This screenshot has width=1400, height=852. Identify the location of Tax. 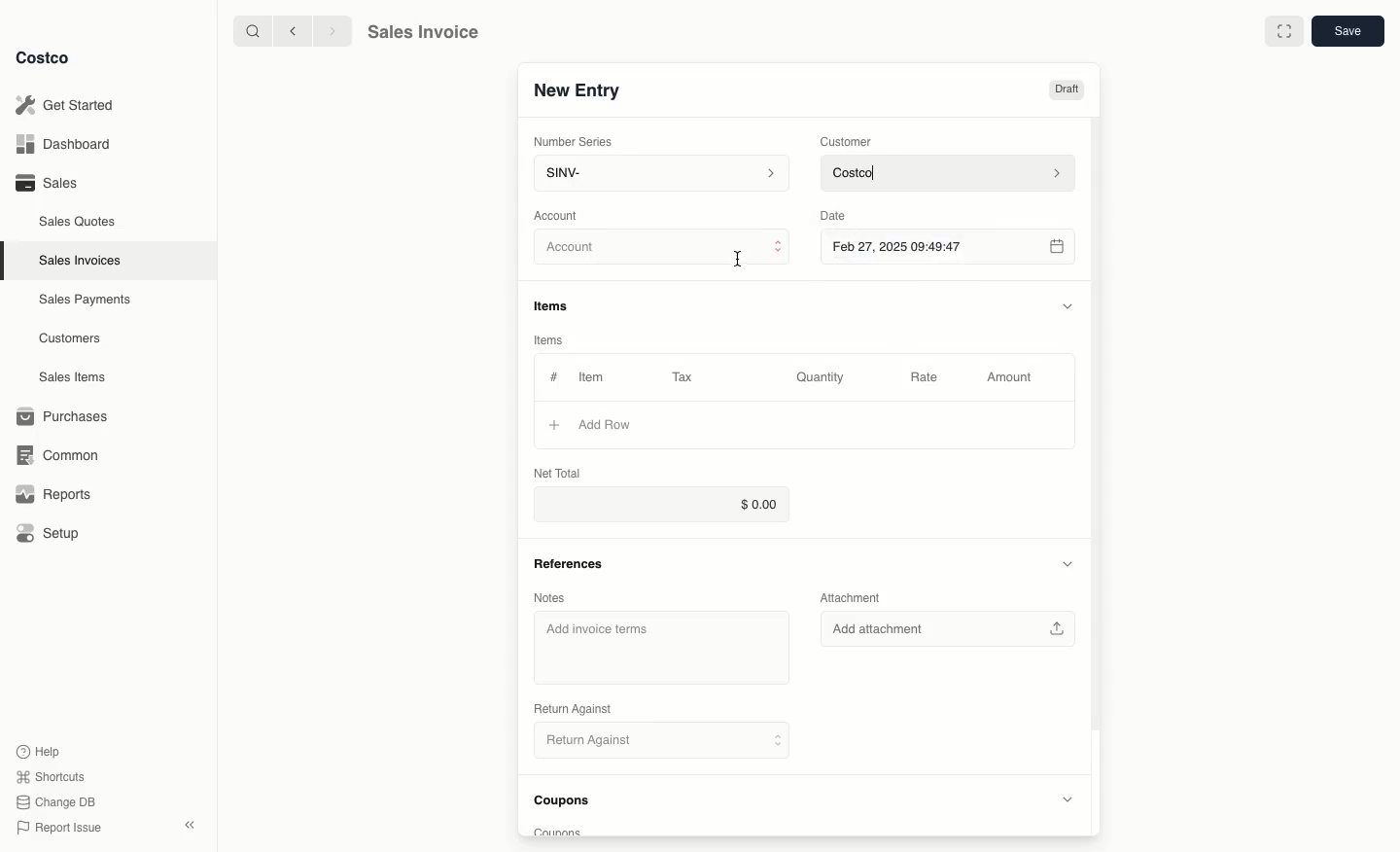
(687, 376).